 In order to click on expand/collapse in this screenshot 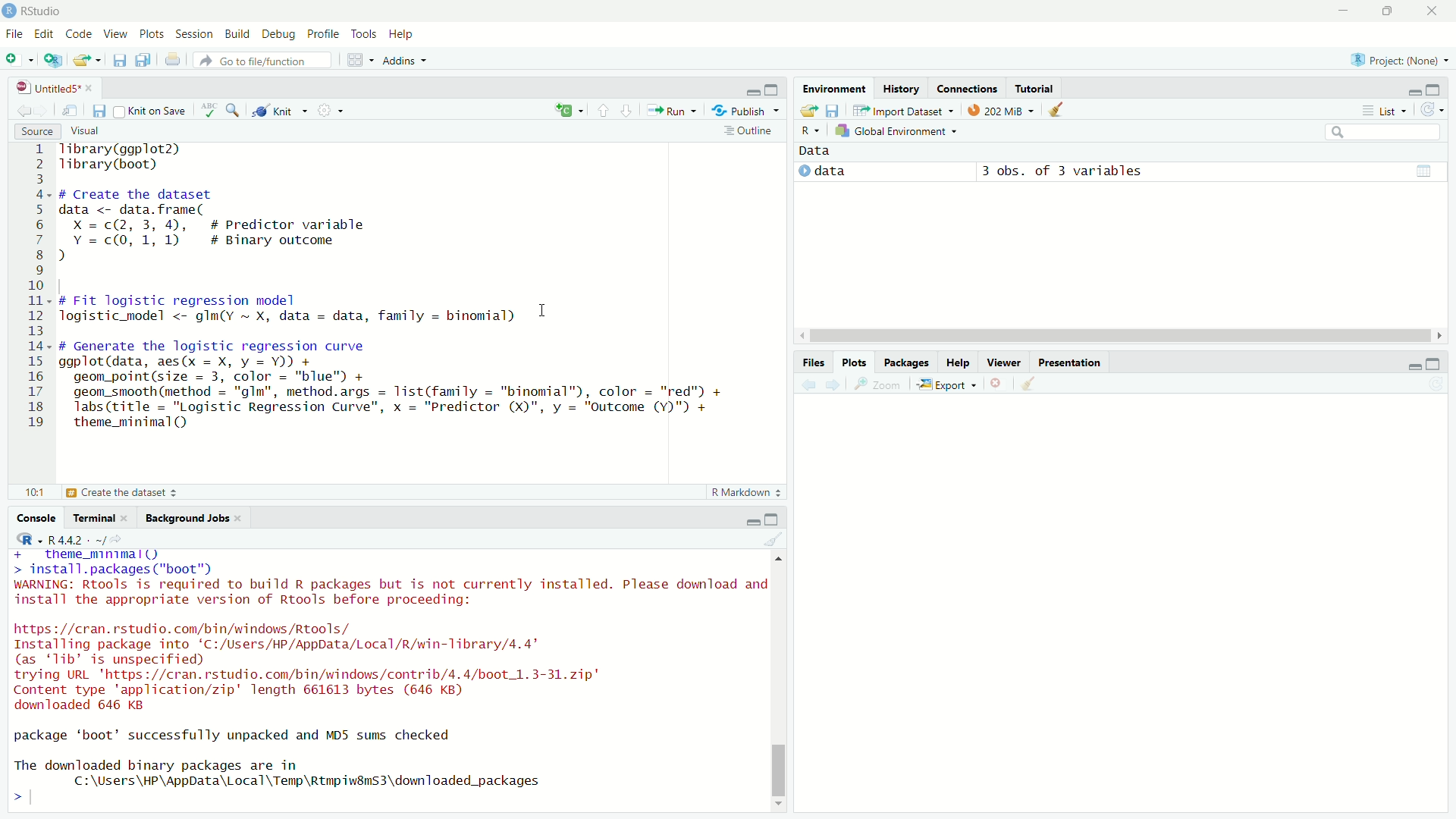, I will do `click(803, 171)`.